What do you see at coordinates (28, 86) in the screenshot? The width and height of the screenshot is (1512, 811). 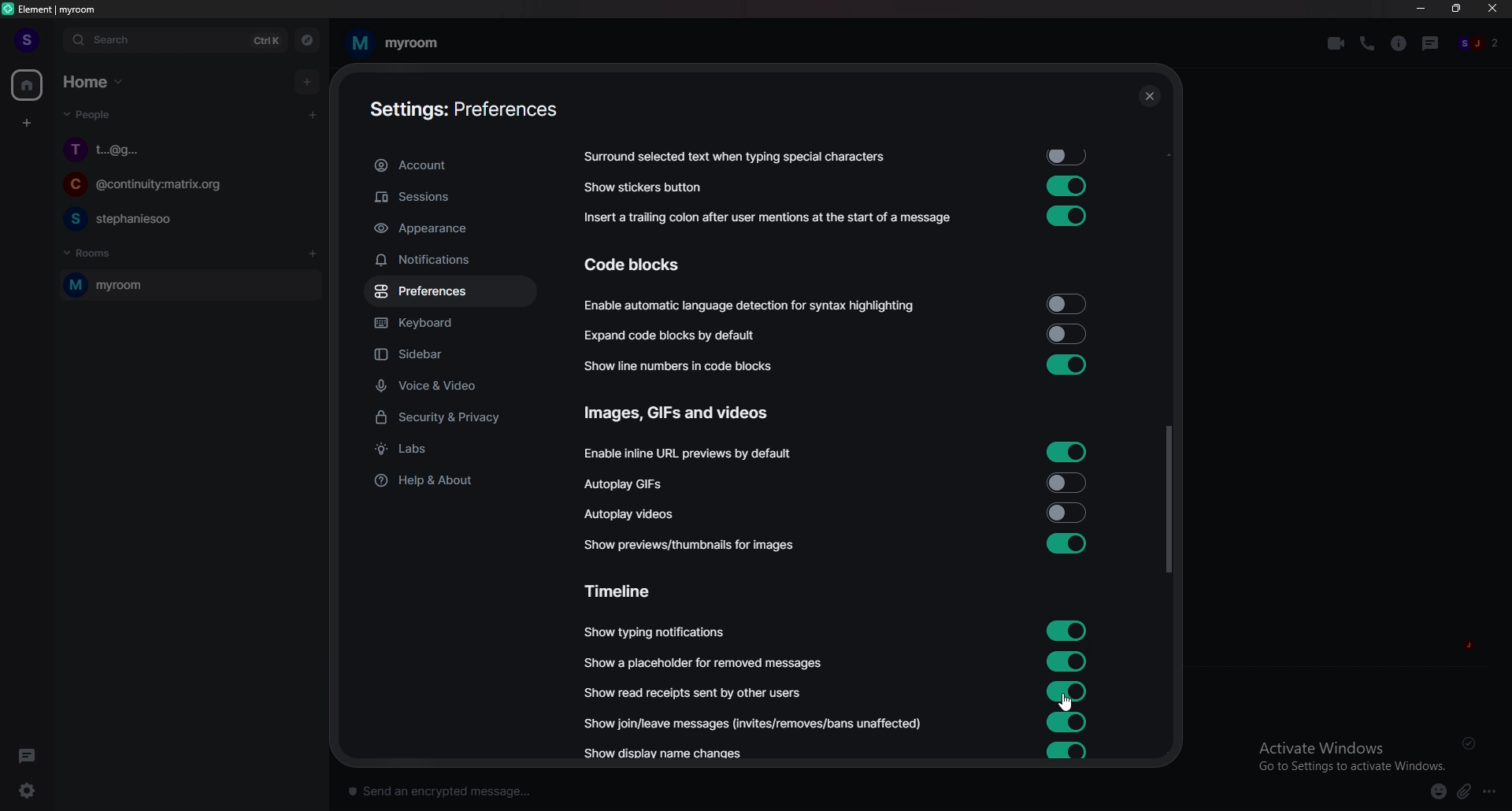 I see `home` at bounding box center [28, 86].